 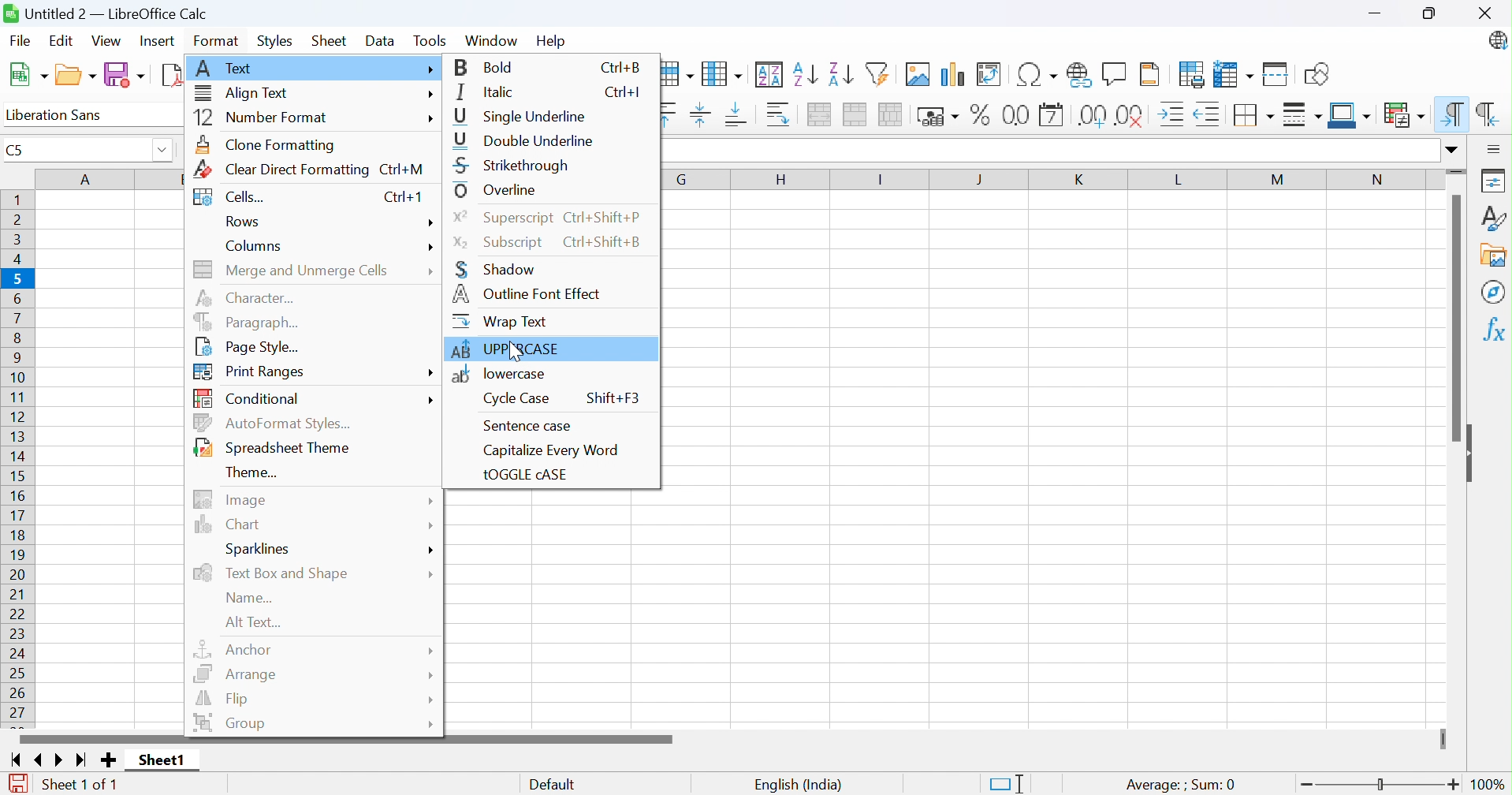 I want to click on Insert comment, so click(x=1115, y=73).